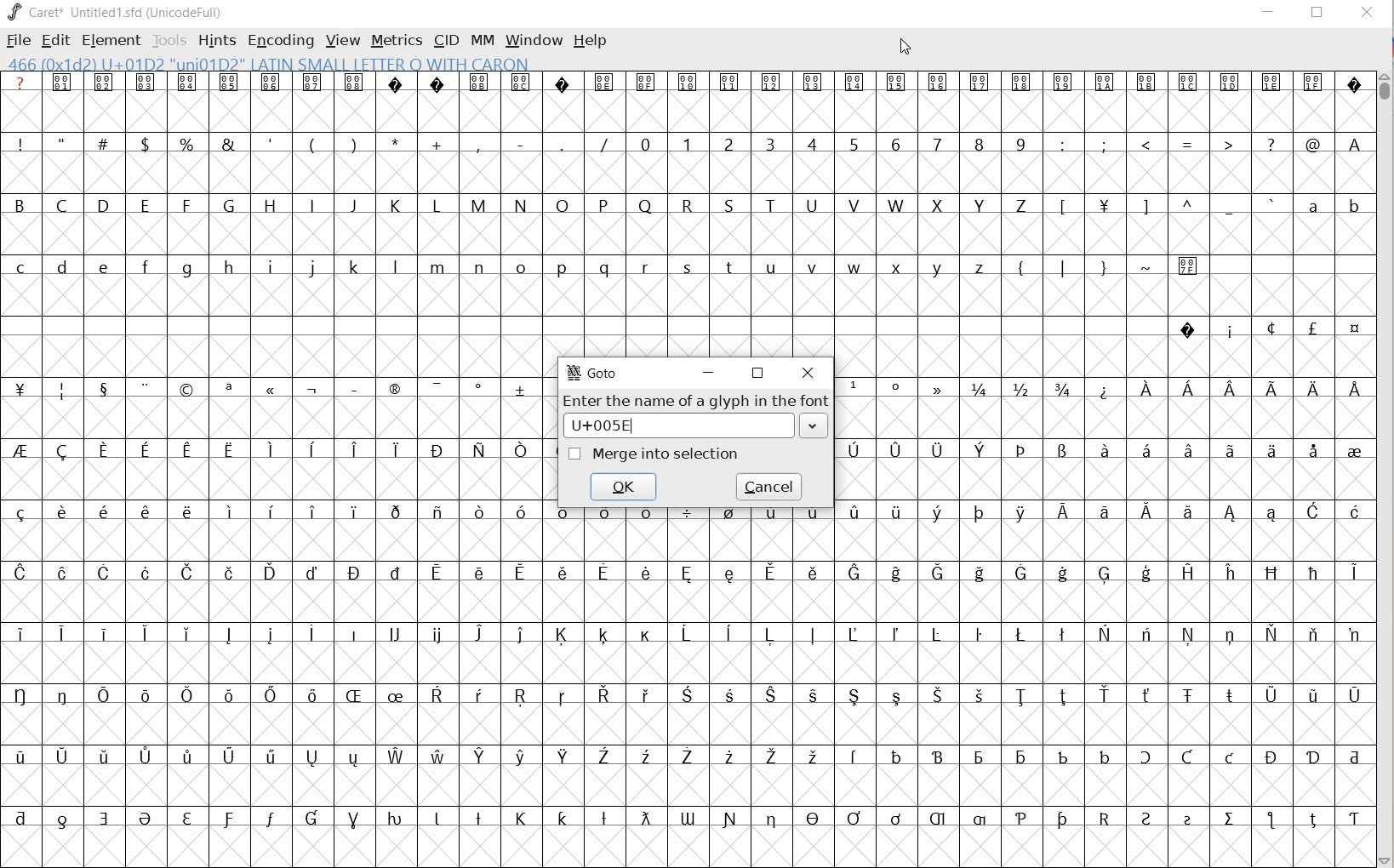 This screenshot has height=868, width=1394. Describe the element at coordinates (109, 40) in the screenshot. I see `ELEMENT` at that location.